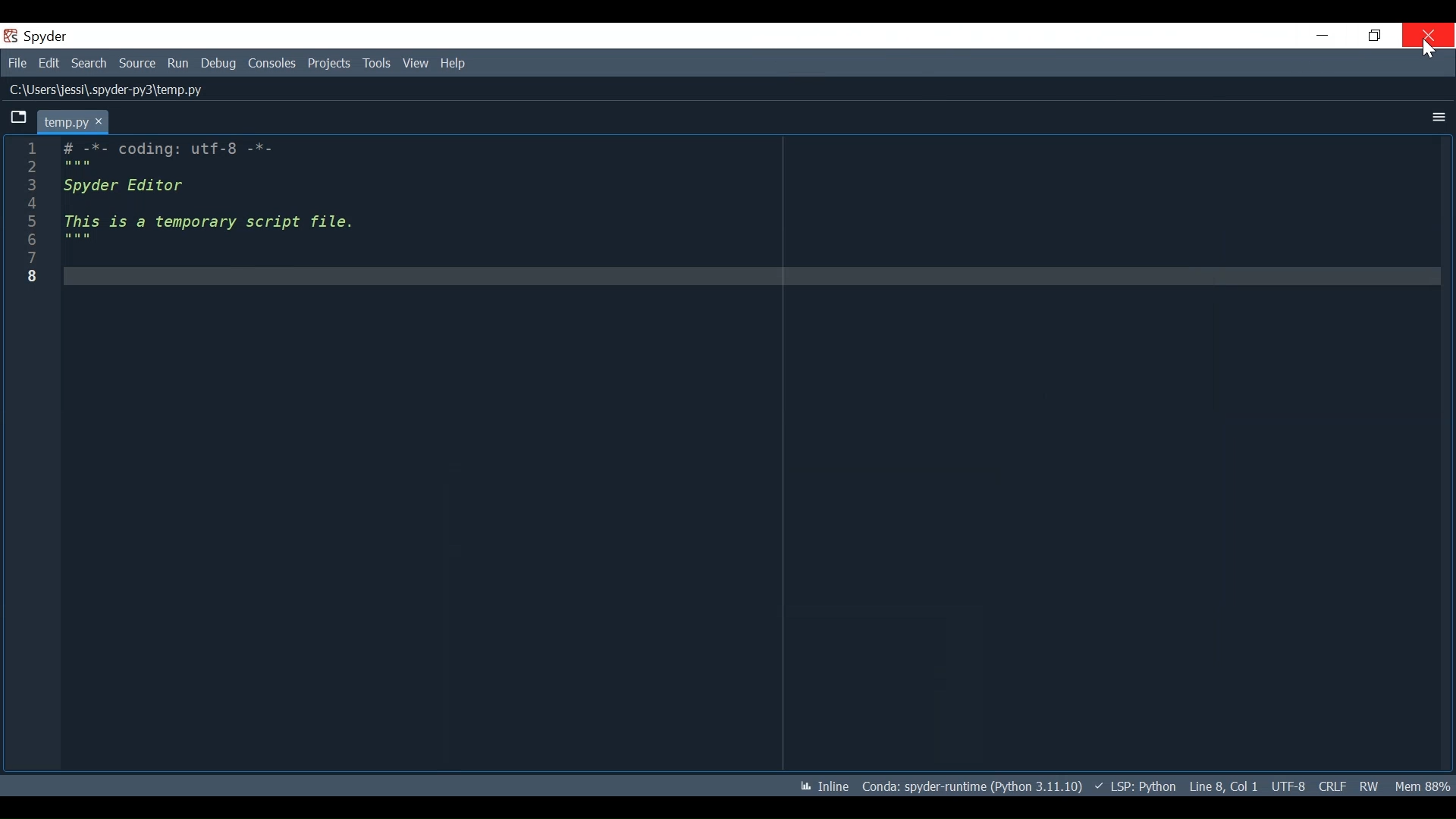 This screenshot has height=819, width=1456. What do you see at coordinates (271, 64) in the screenshot?
I see `Consoles` at bounding box center [271, 64].